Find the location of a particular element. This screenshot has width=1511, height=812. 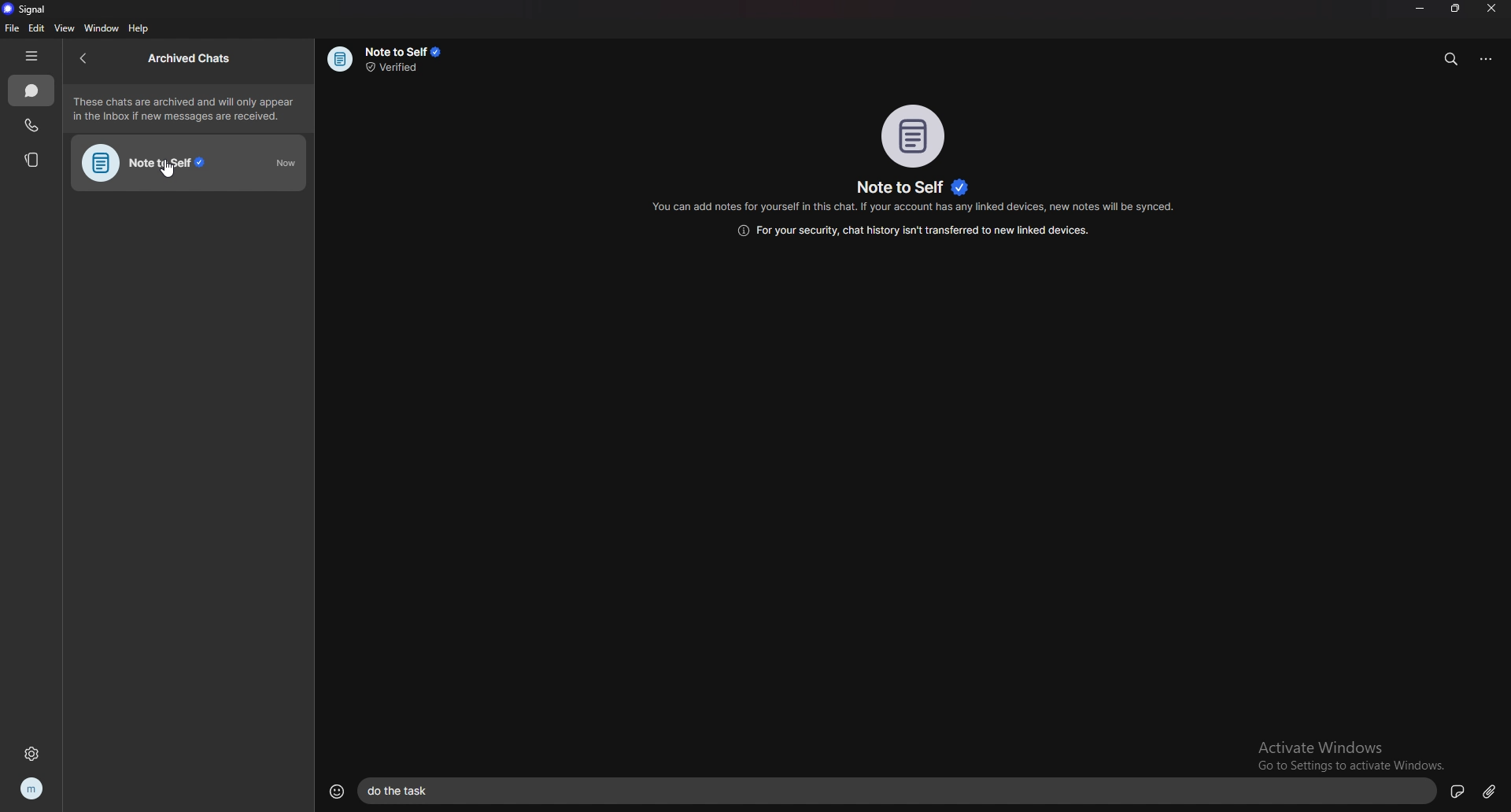

info is located at coordinates (386, 58).